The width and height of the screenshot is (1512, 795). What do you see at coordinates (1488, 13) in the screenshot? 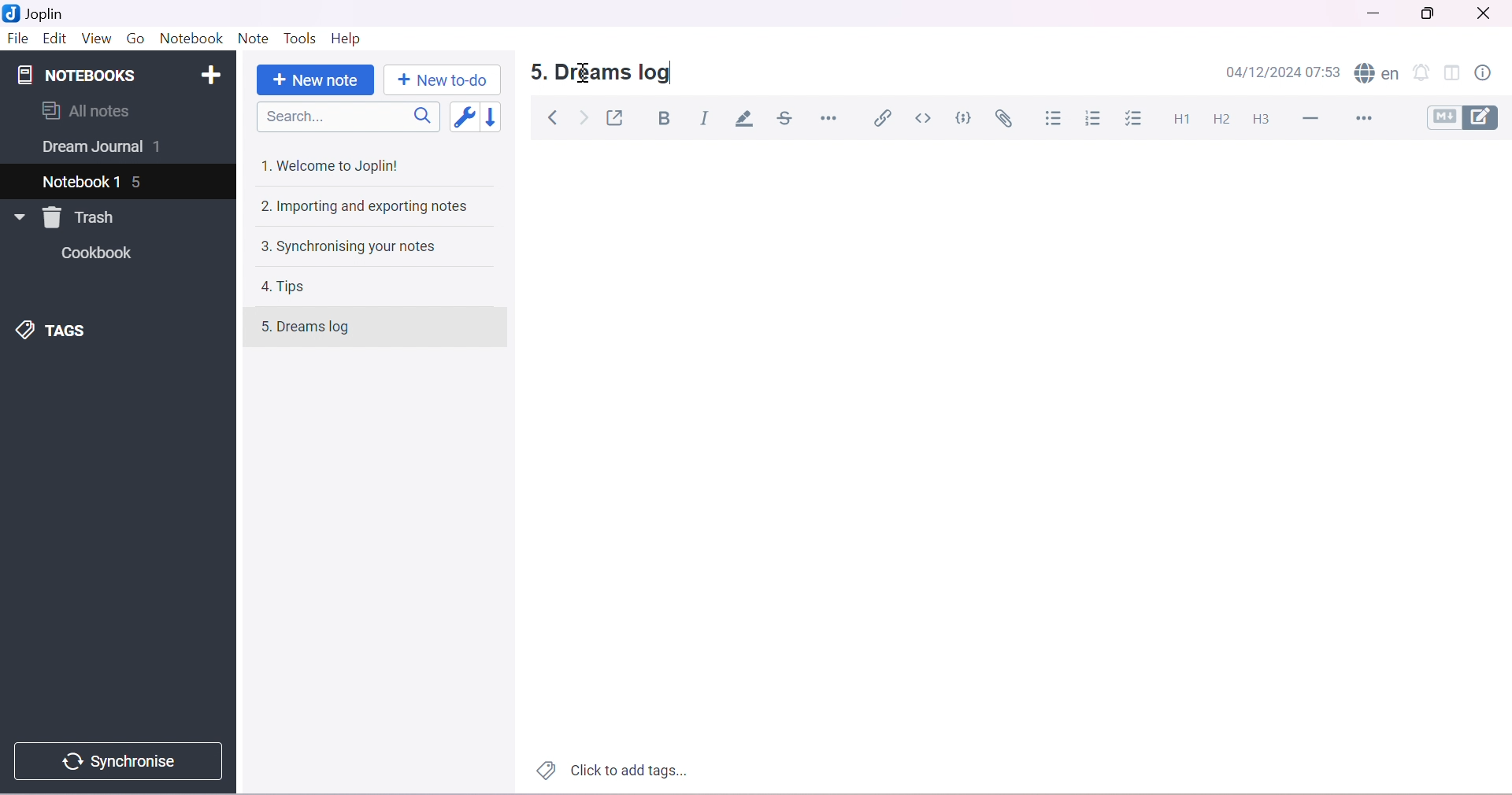
I see `Close` at bounding box center [1488, 13].